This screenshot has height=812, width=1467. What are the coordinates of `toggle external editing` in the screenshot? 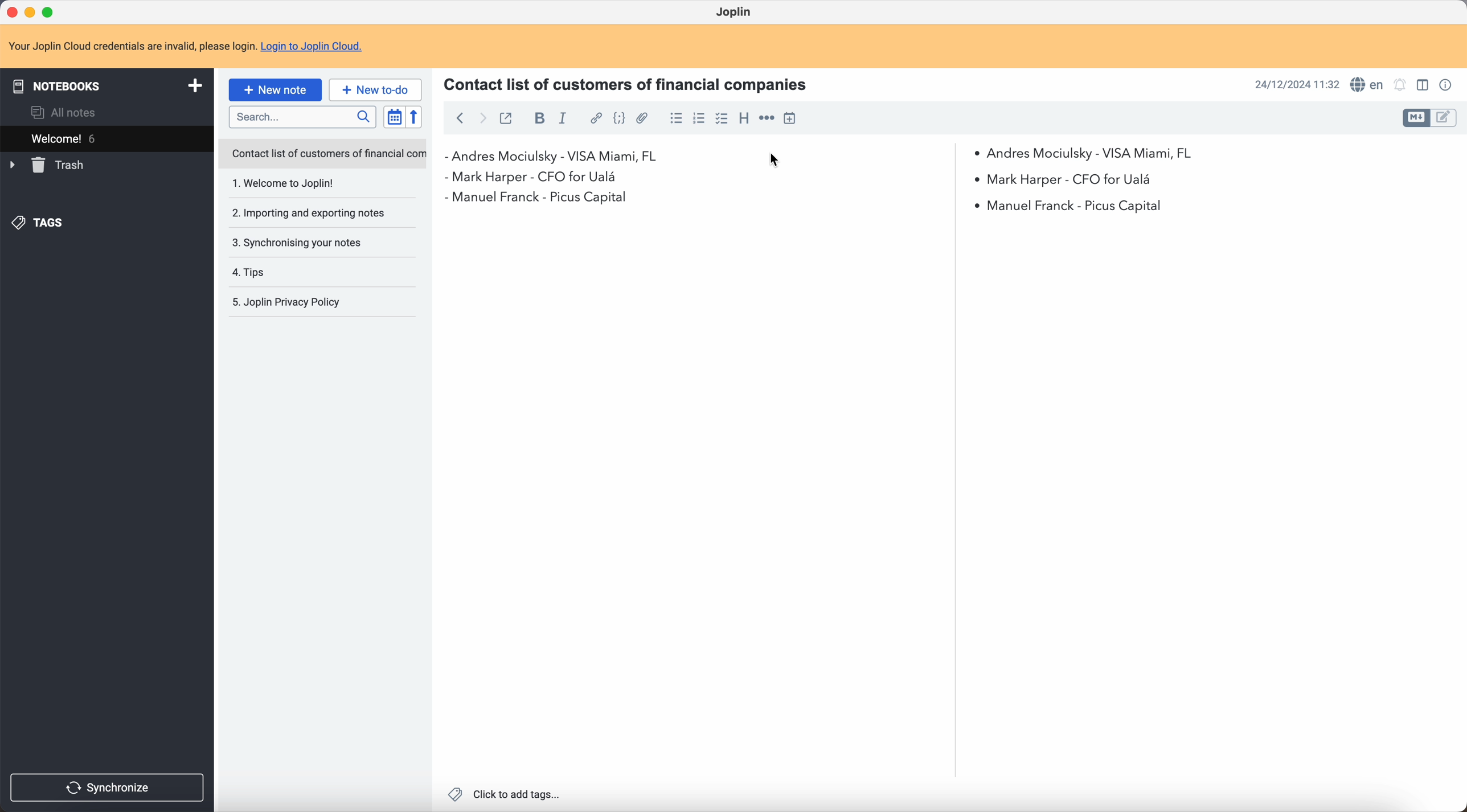 It's located at (509, 117).